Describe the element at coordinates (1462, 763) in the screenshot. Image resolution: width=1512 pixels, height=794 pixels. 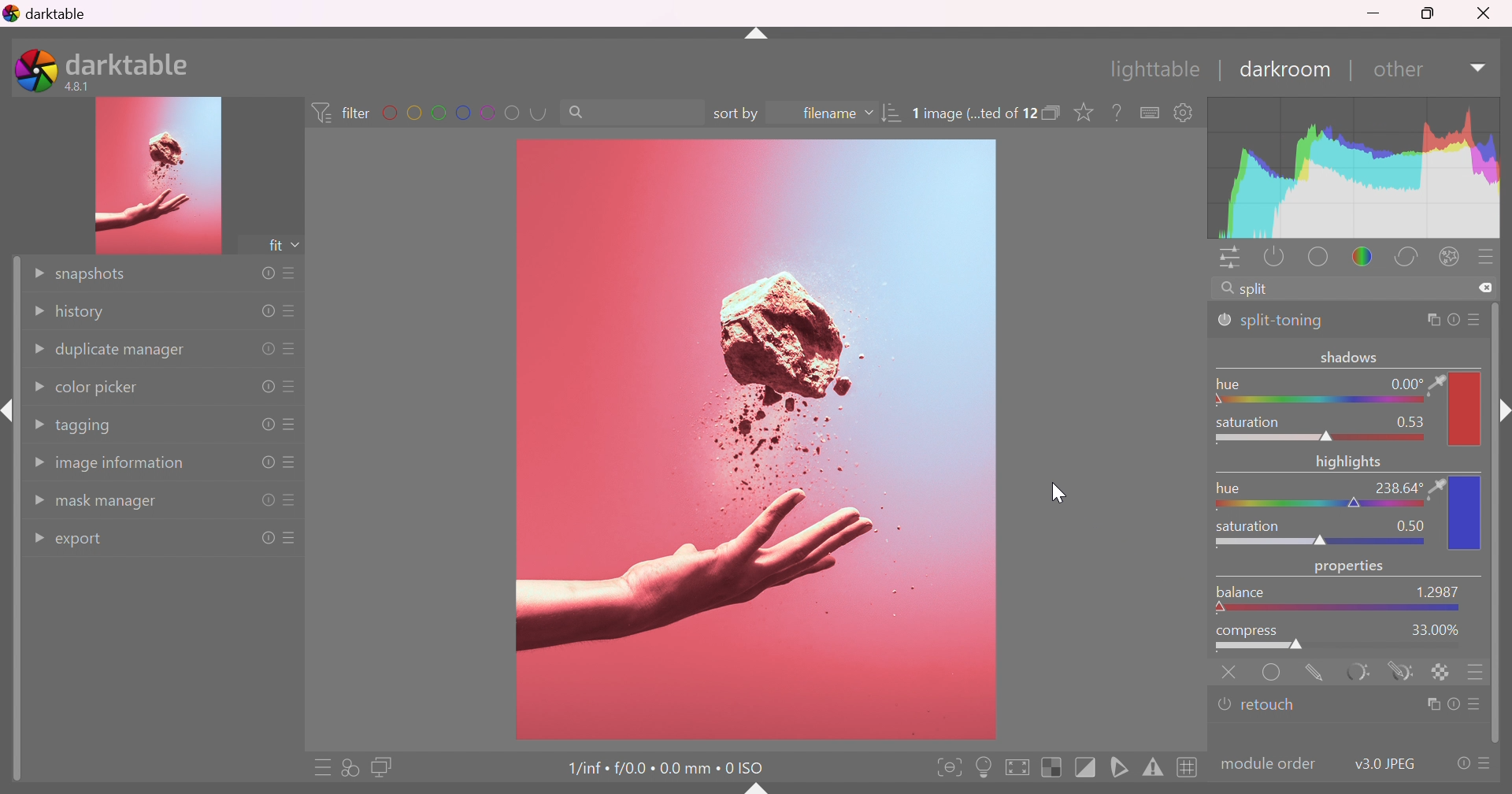
I see `reset` at that location.